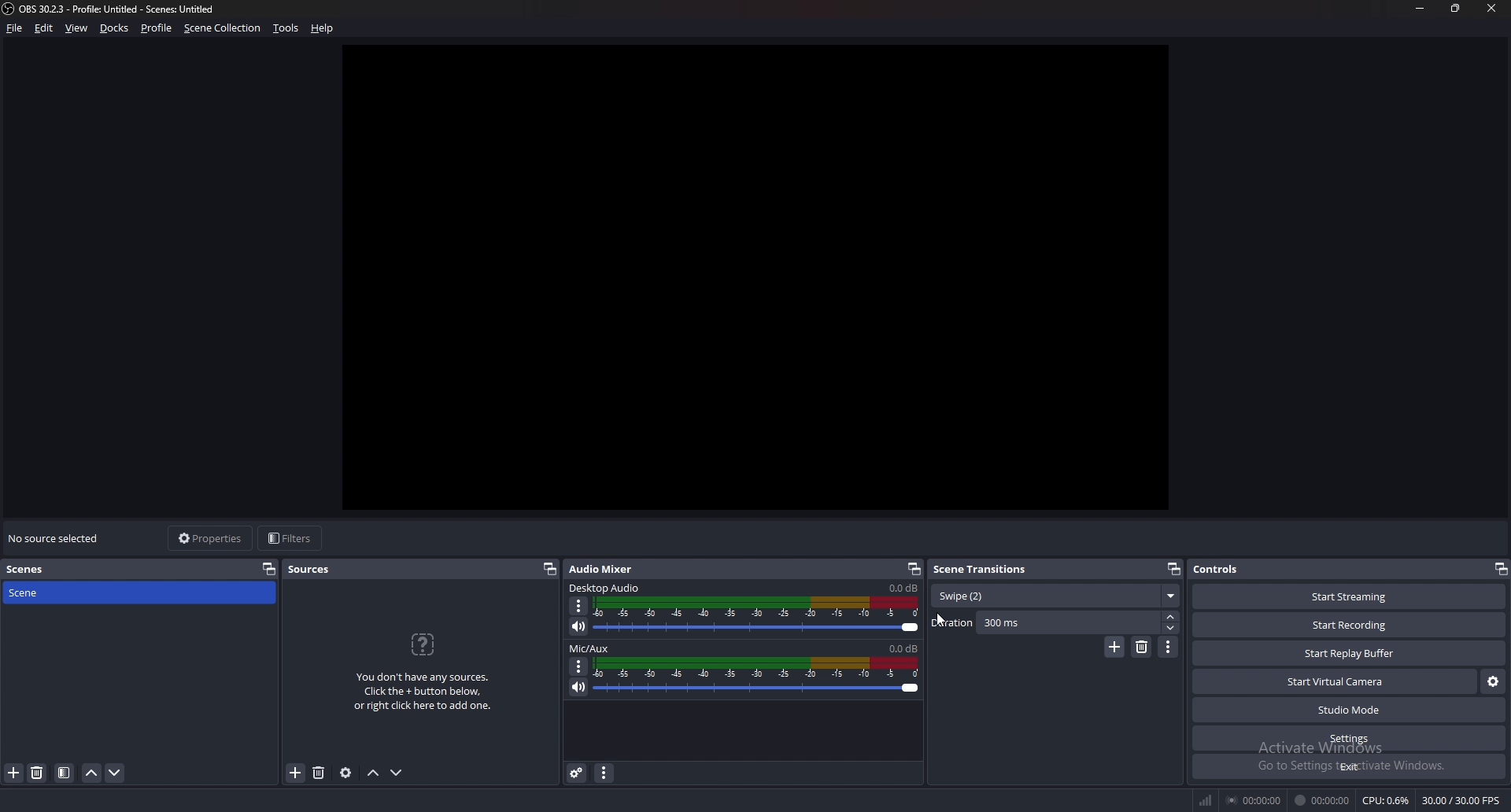  What do you see at coordinates (579, 666) in the screenshot?
I see `options` at bounding box center [579, 666].